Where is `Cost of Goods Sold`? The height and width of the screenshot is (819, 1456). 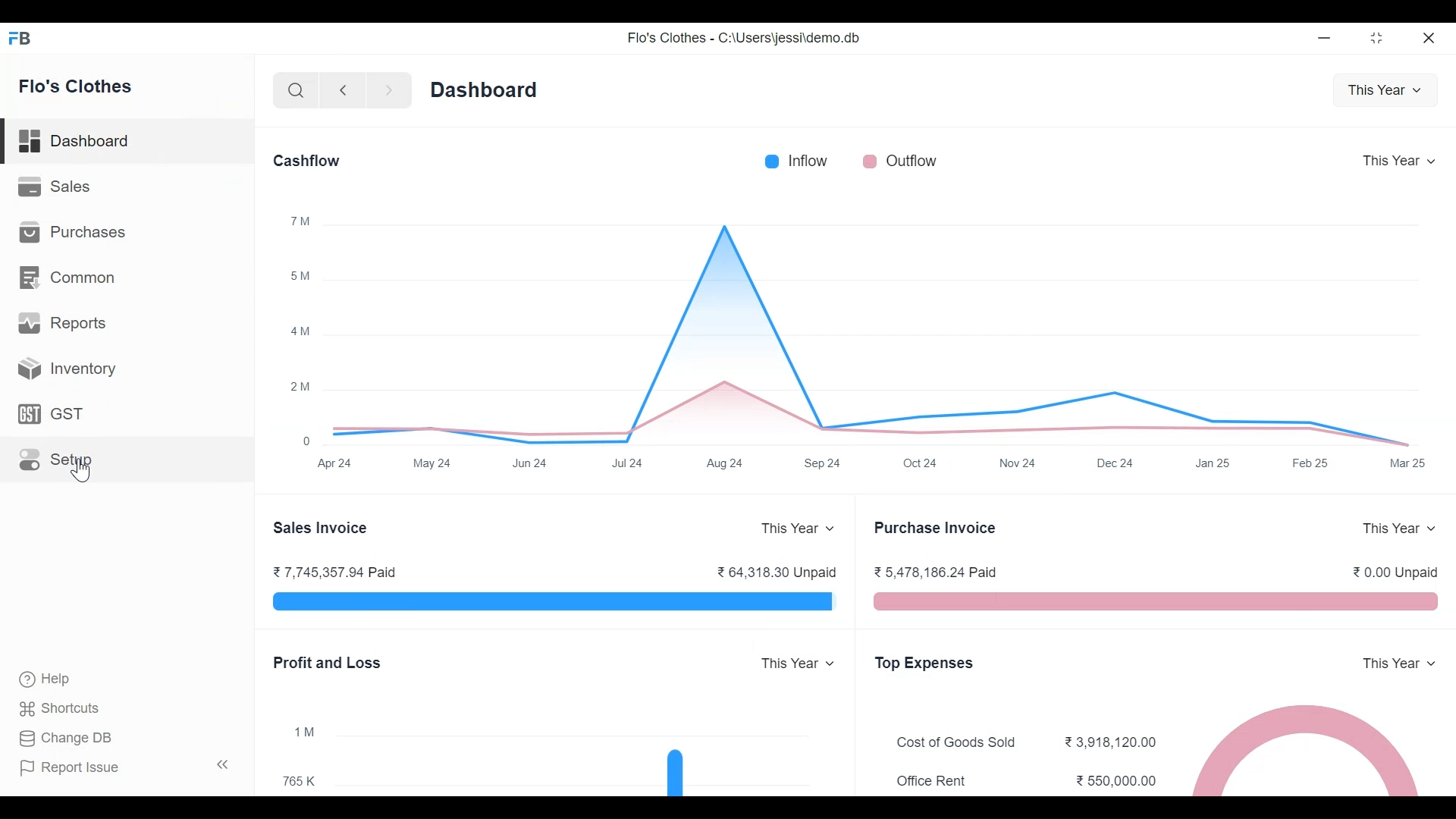
Cost of Goods Sold is located at coordinates (960, 745).